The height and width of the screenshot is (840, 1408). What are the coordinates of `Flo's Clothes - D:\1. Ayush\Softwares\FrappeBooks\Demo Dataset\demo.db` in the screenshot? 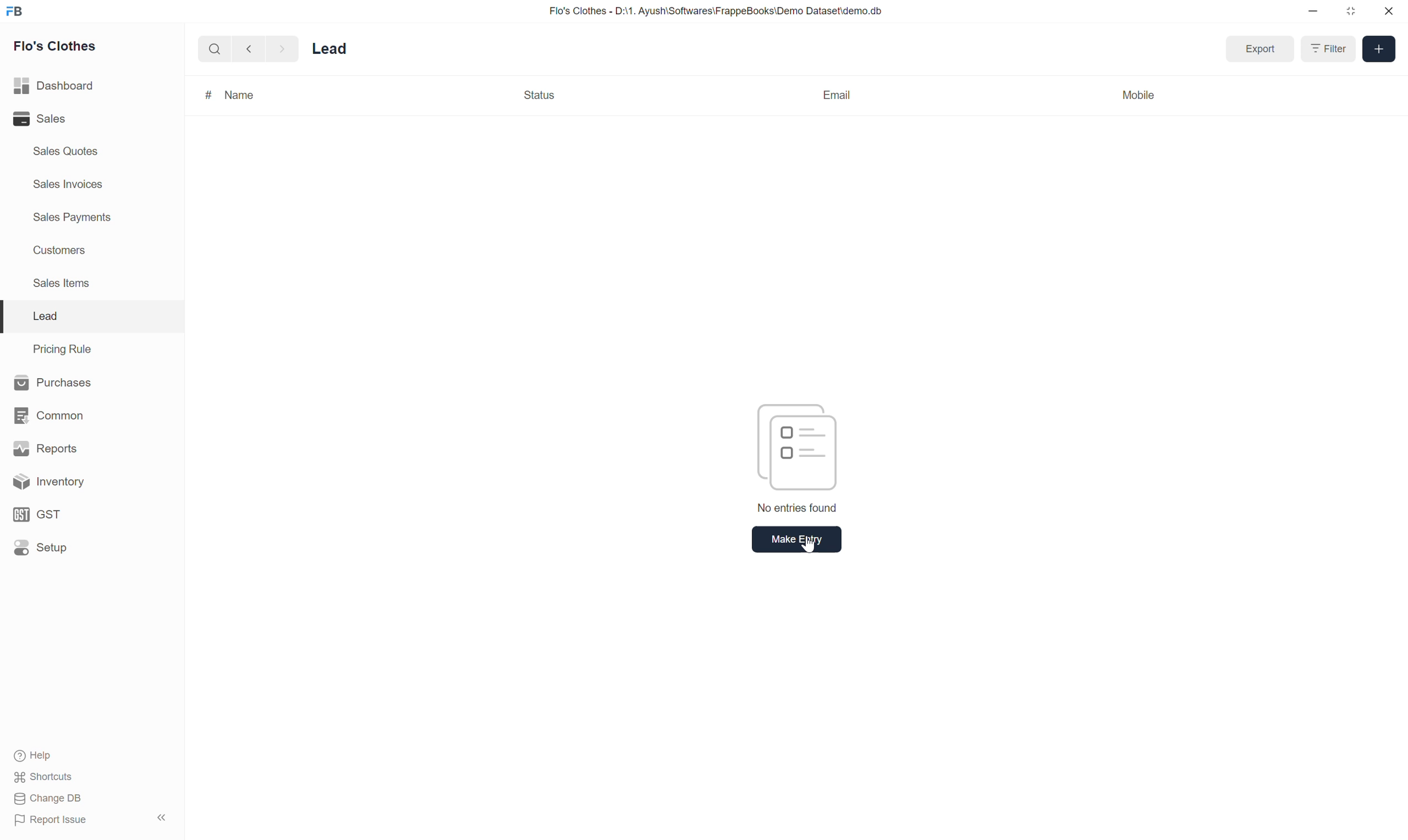 It's located at (717, 10).